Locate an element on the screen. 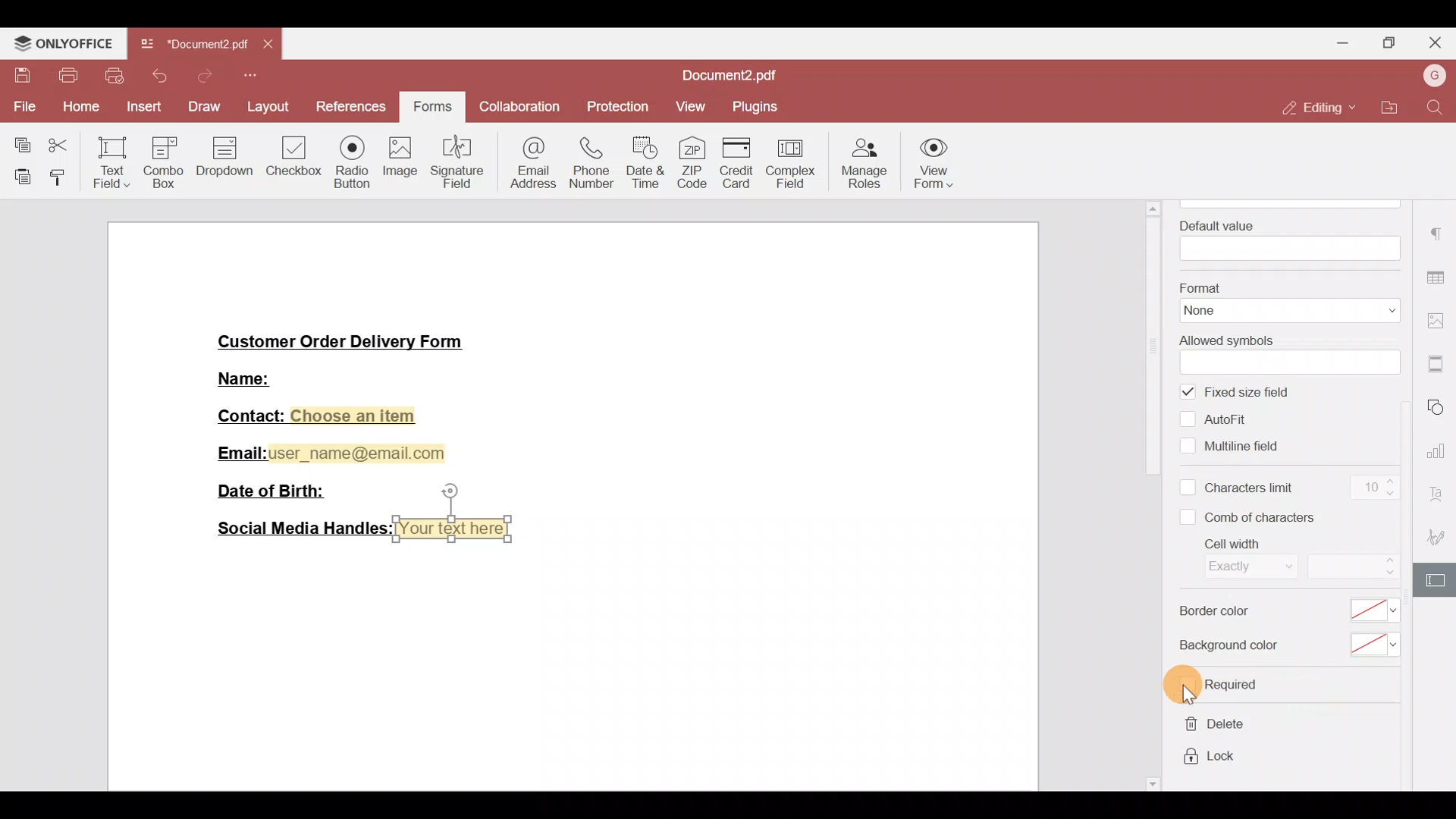 The image size is (1456, 819). ONLYOFFICE is located at coordinates (64, 42).